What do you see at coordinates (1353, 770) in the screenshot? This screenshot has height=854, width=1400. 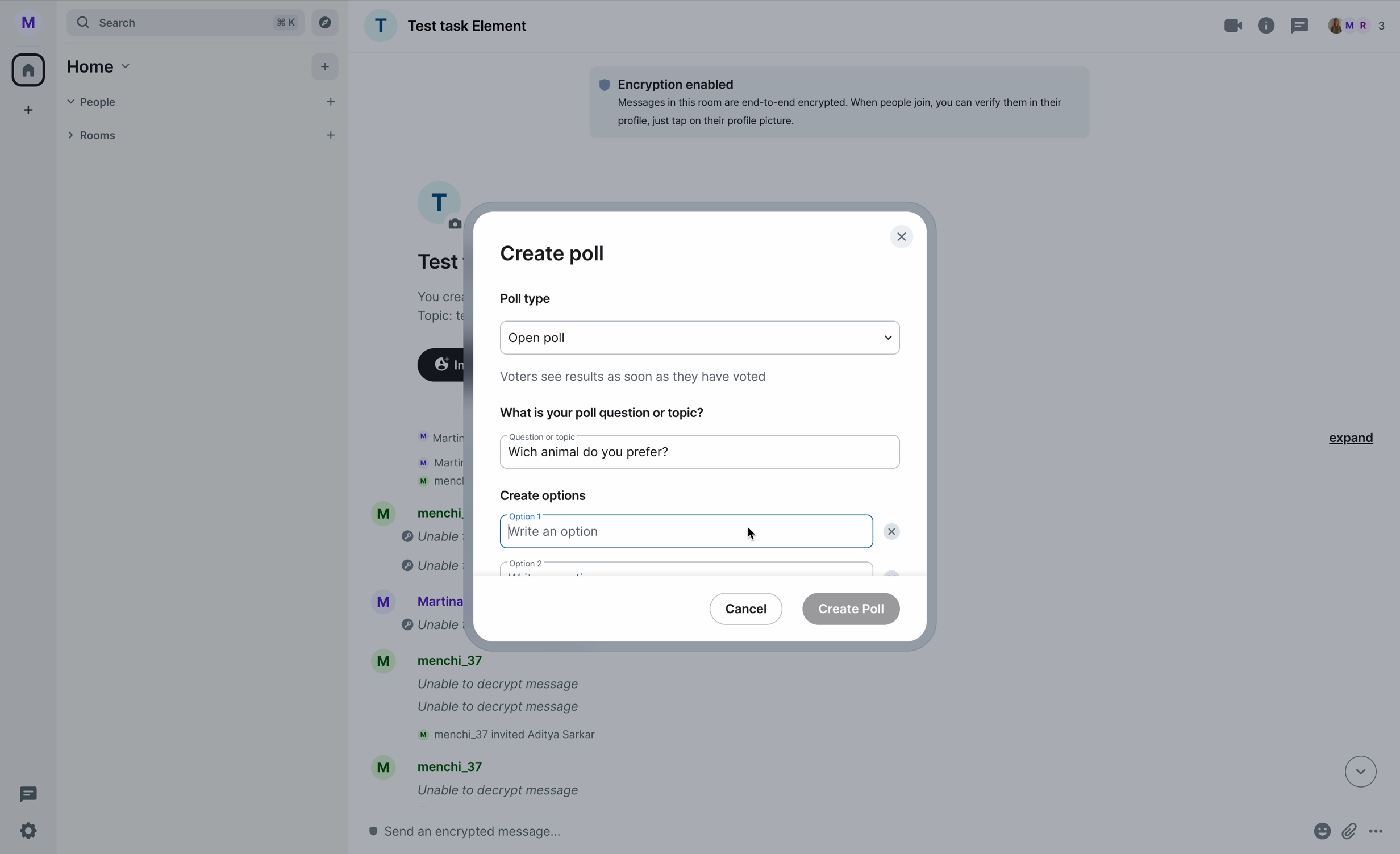 I see `down arrow` at bounding box center [1353, 770].